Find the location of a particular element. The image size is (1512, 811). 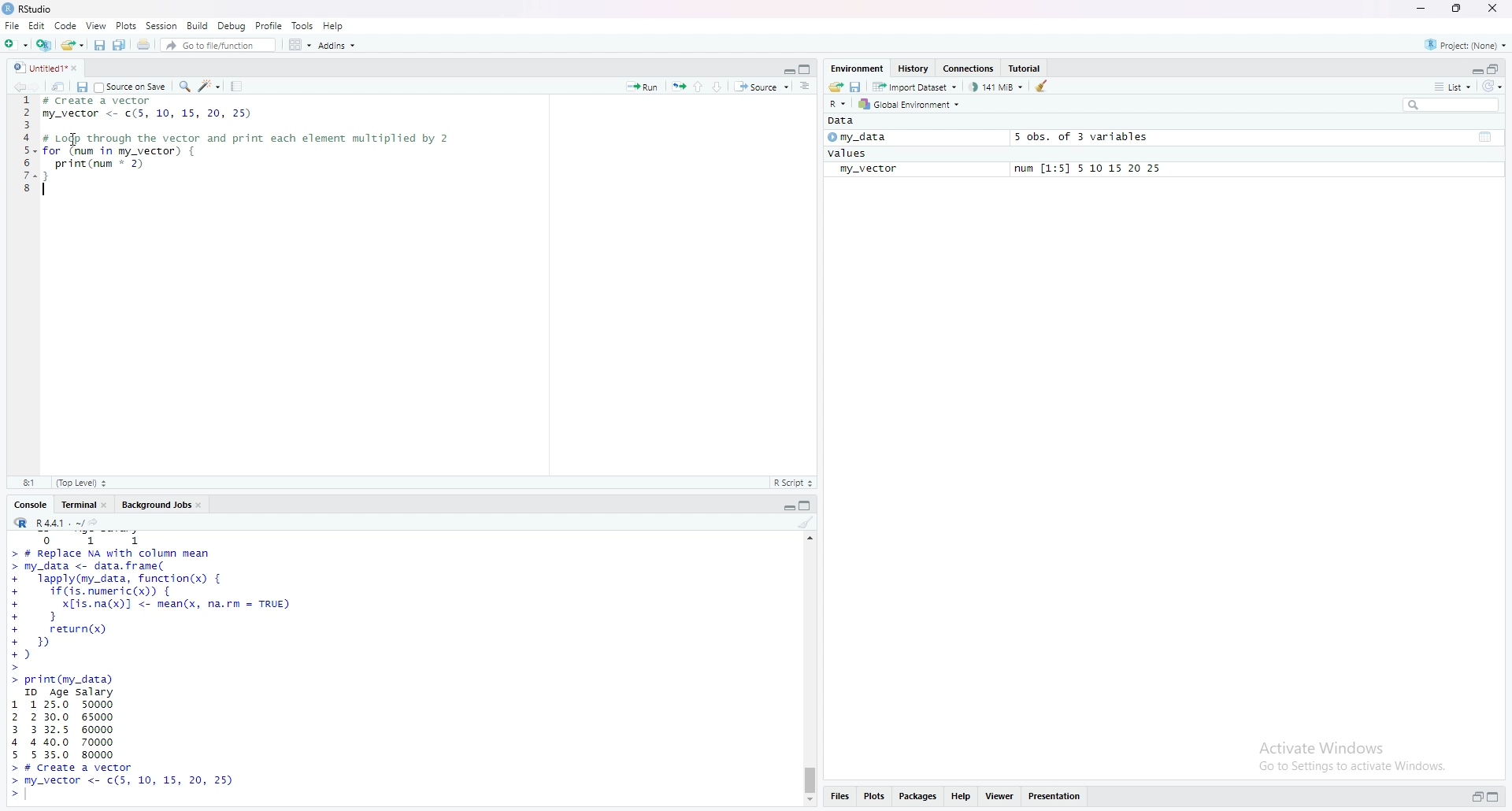

session is located at coordinates (162, 25).